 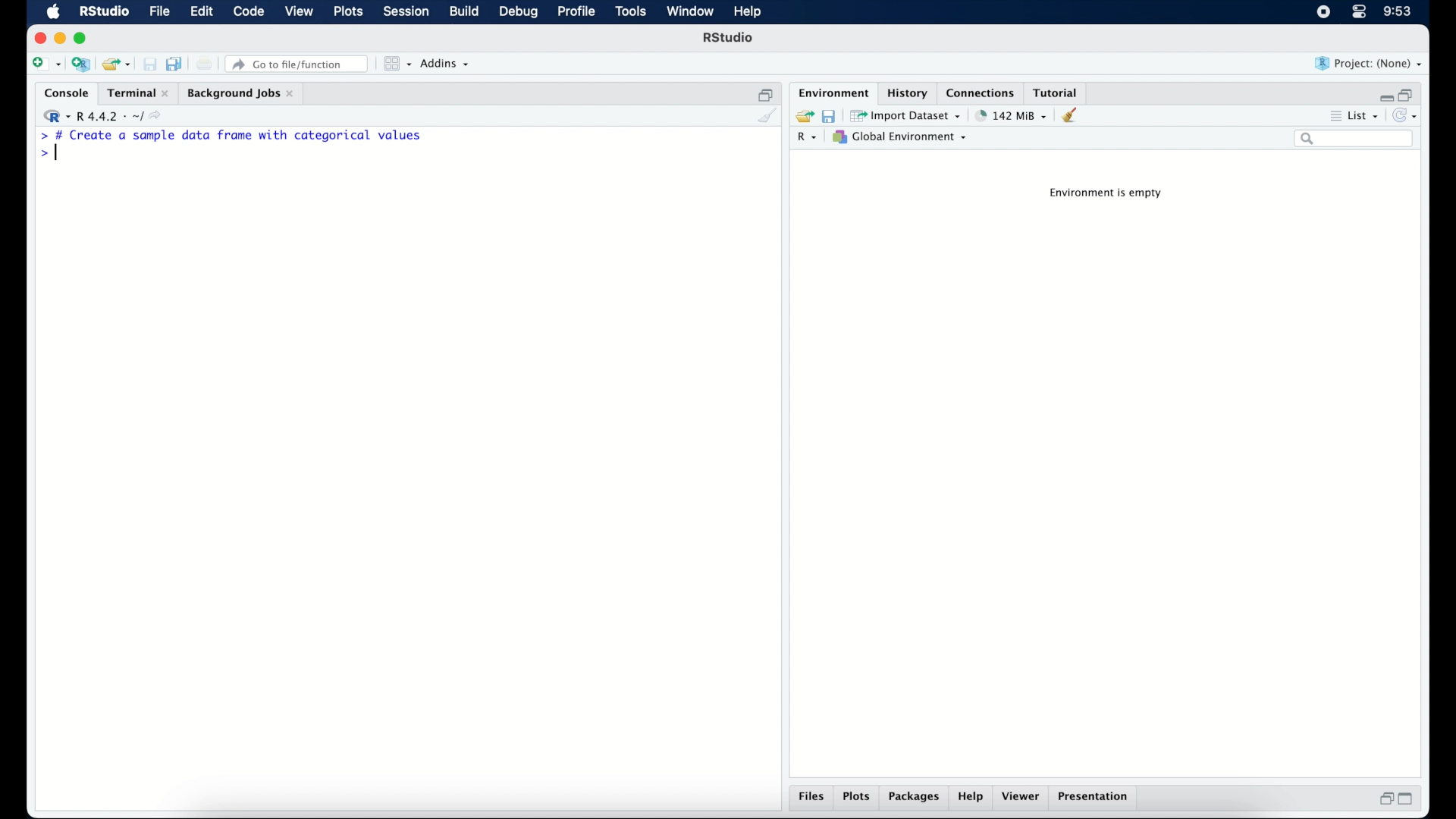 I want to click on > # Create a sample data frame with categorical values|, so click(x=252, y=134).